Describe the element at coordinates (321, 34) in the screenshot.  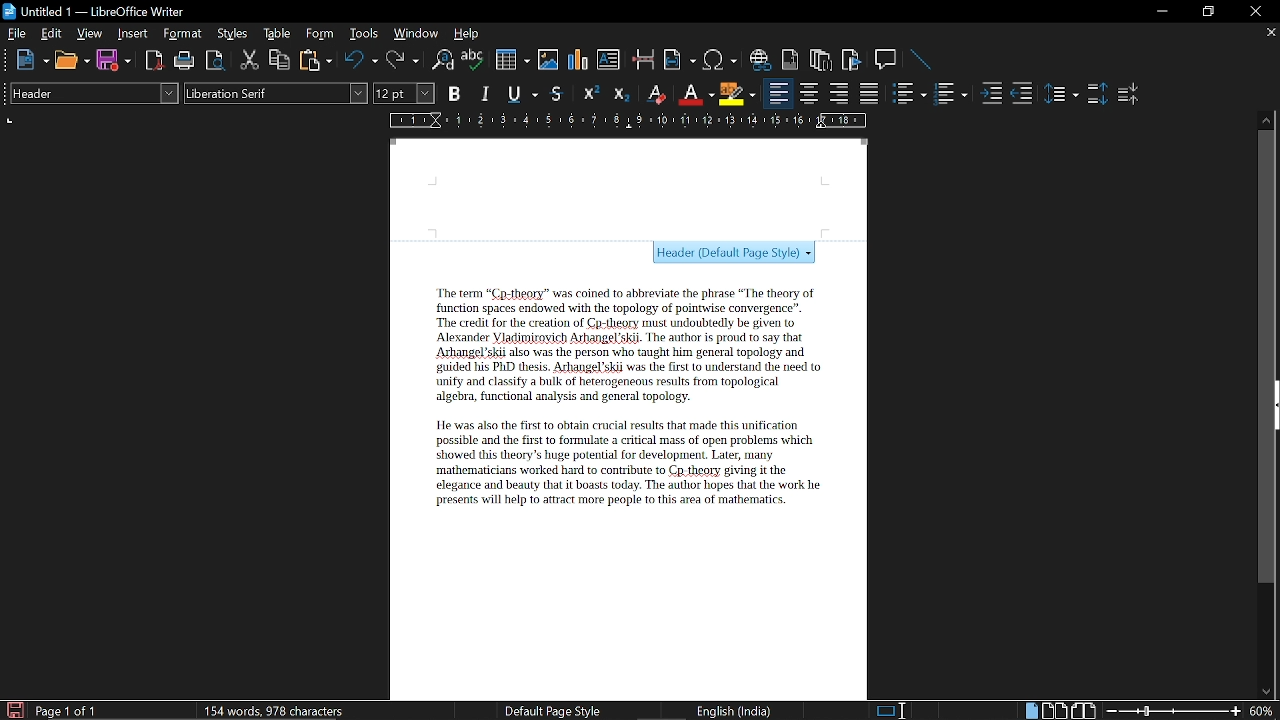
I see `Form` at that location.